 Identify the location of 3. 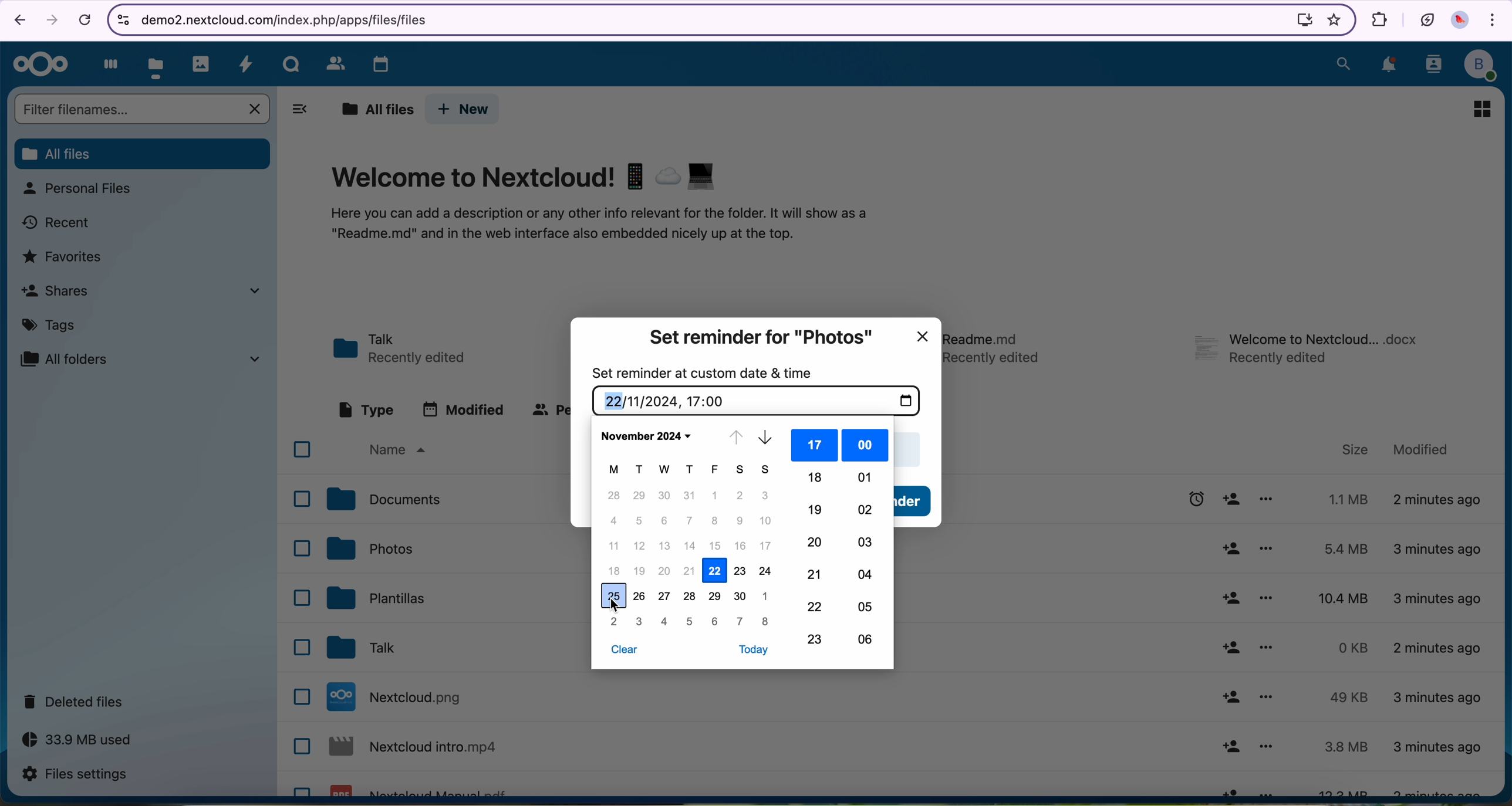
(642, 622).